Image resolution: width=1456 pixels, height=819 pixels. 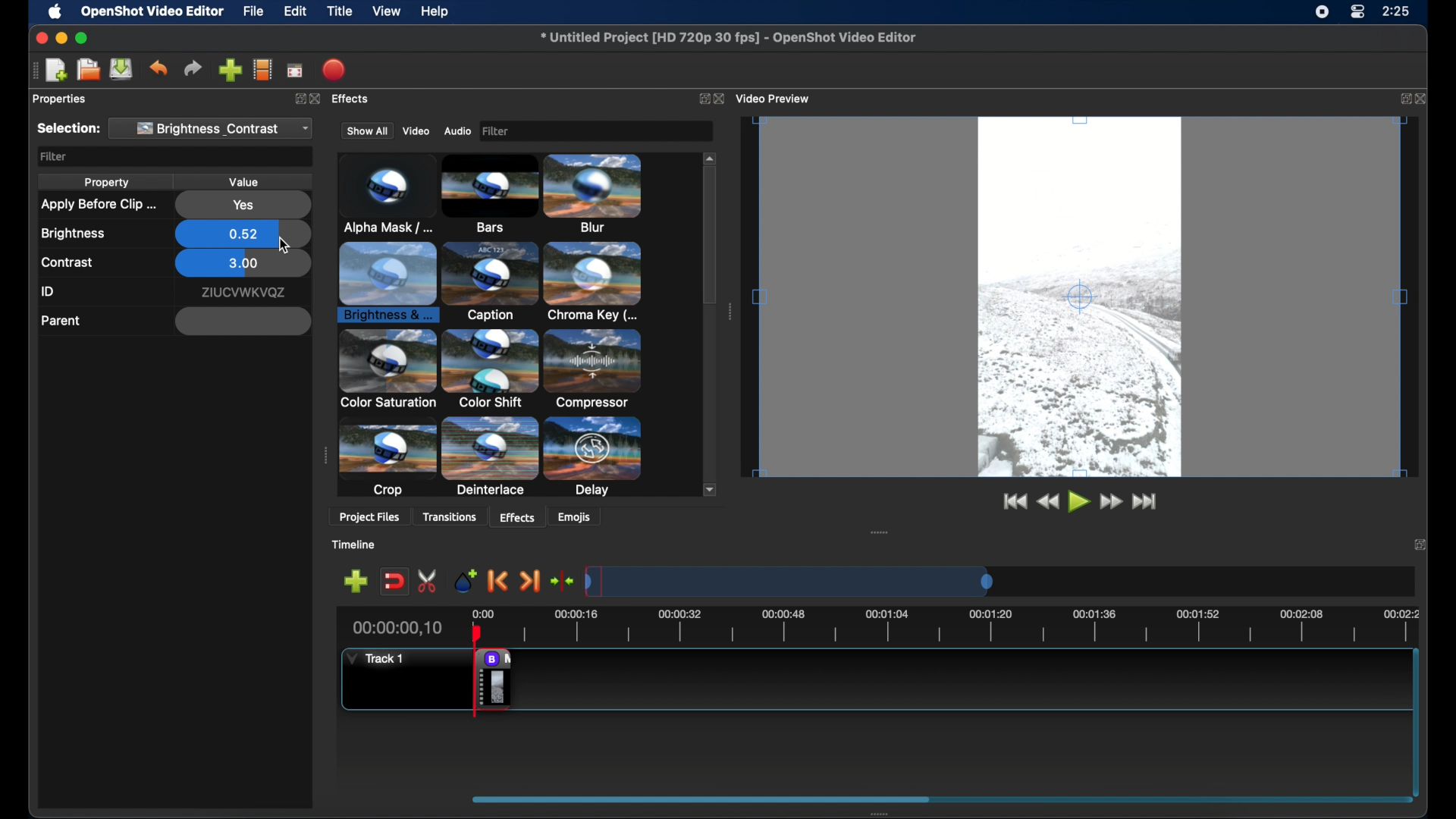 What do you see at coordinates (728, 38) in the screenshot?
I see `file name` at bounding box center [728, 38].